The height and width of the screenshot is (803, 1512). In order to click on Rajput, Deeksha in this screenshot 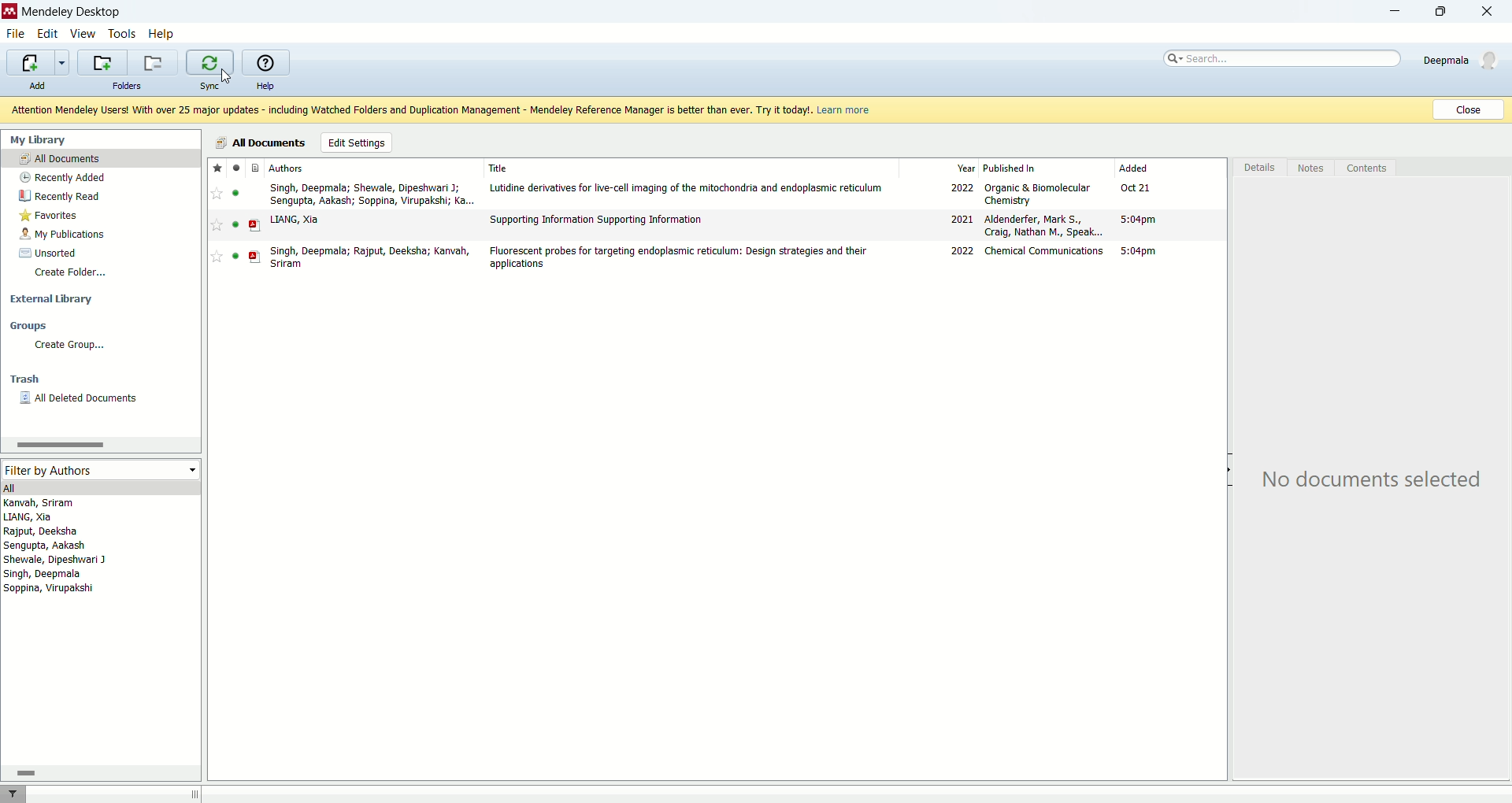, I will do `click(42, 531)`.